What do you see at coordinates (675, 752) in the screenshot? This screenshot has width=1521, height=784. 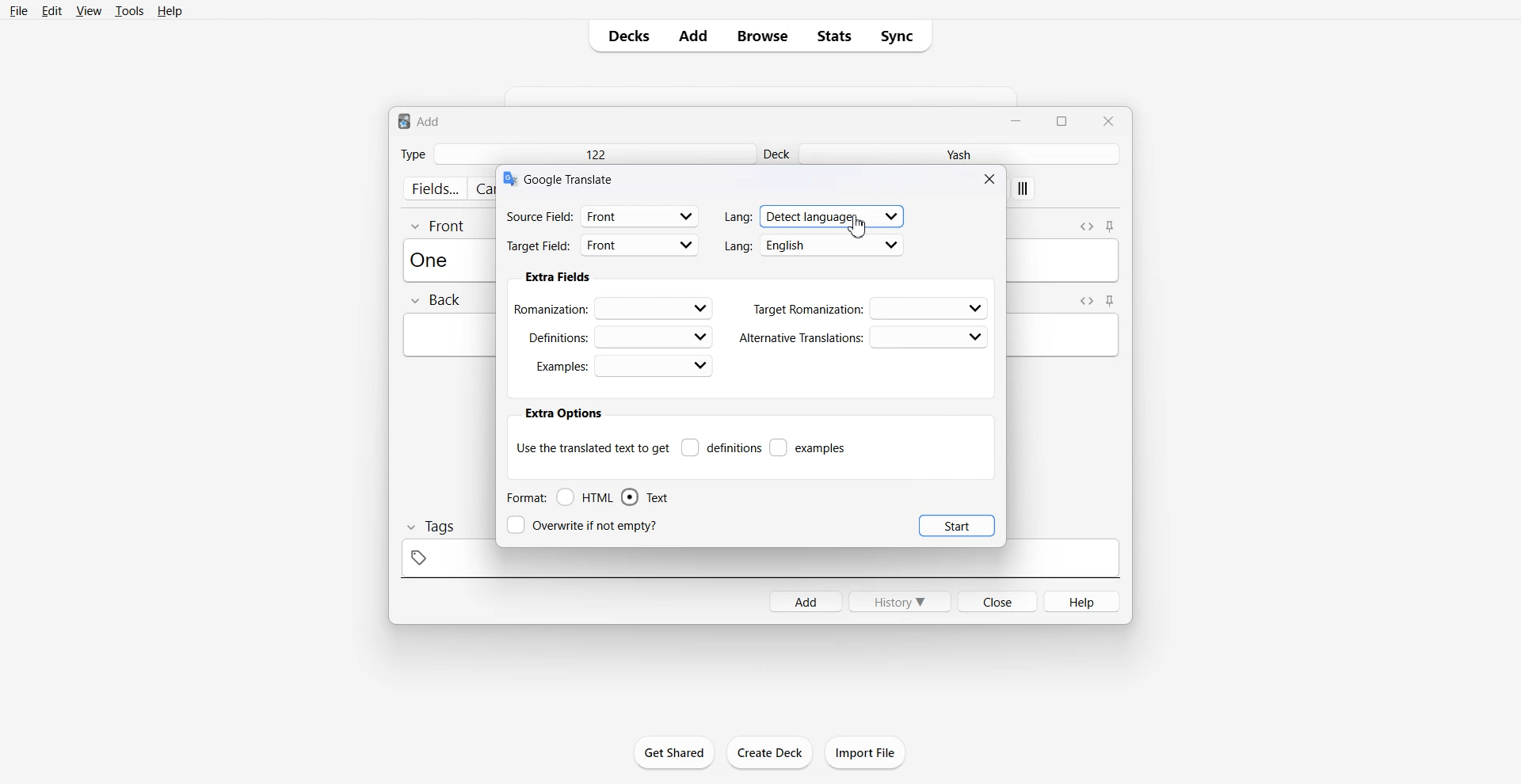 I see `Get Shared` at bounding box center [675, 752].